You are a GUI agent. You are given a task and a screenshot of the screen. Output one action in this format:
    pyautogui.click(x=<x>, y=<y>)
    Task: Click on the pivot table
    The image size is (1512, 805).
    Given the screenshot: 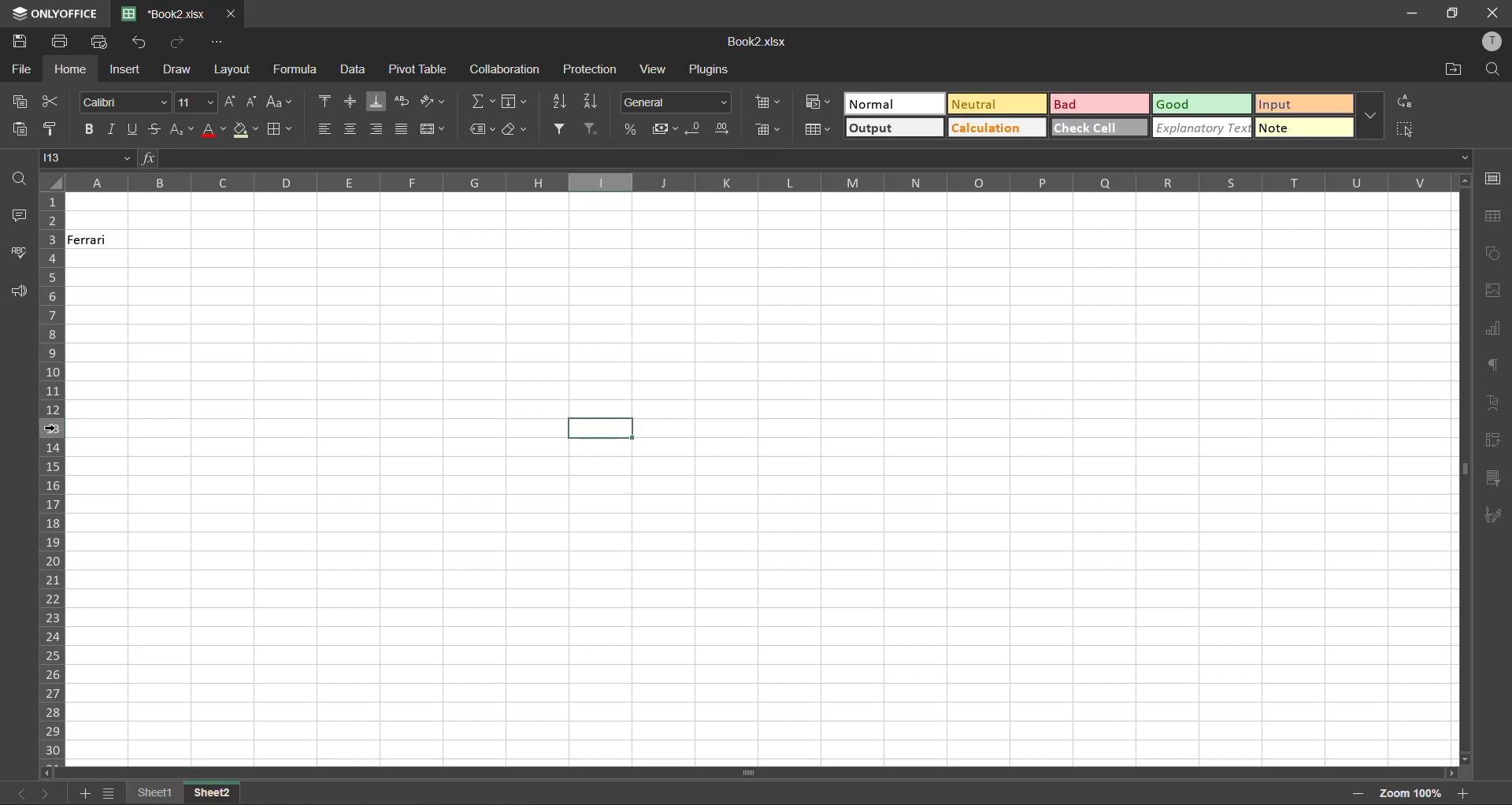 What is the action you would take?
    pyautogui.click(x=1497, y=440)
    